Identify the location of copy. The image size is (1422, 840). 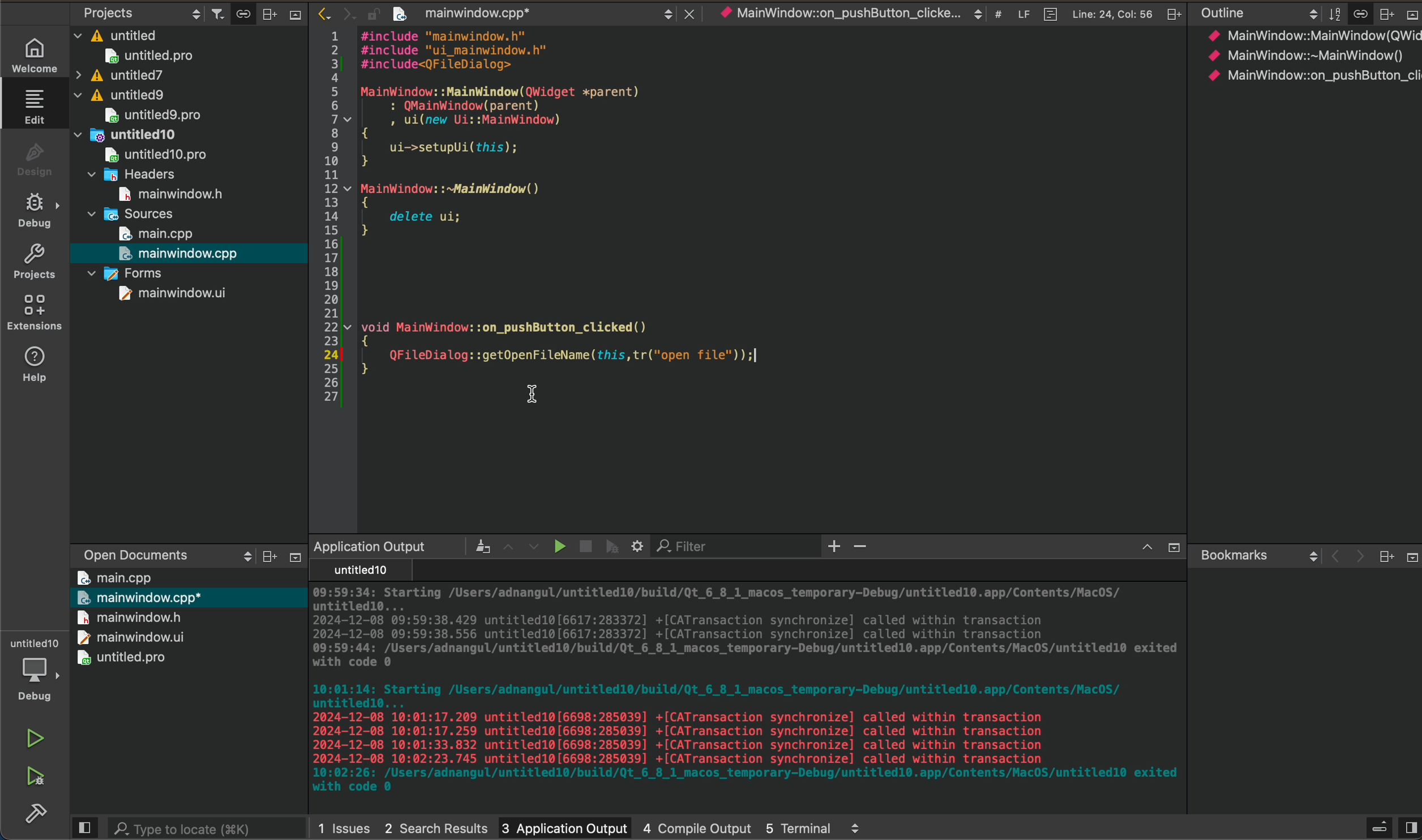
(240, 14).